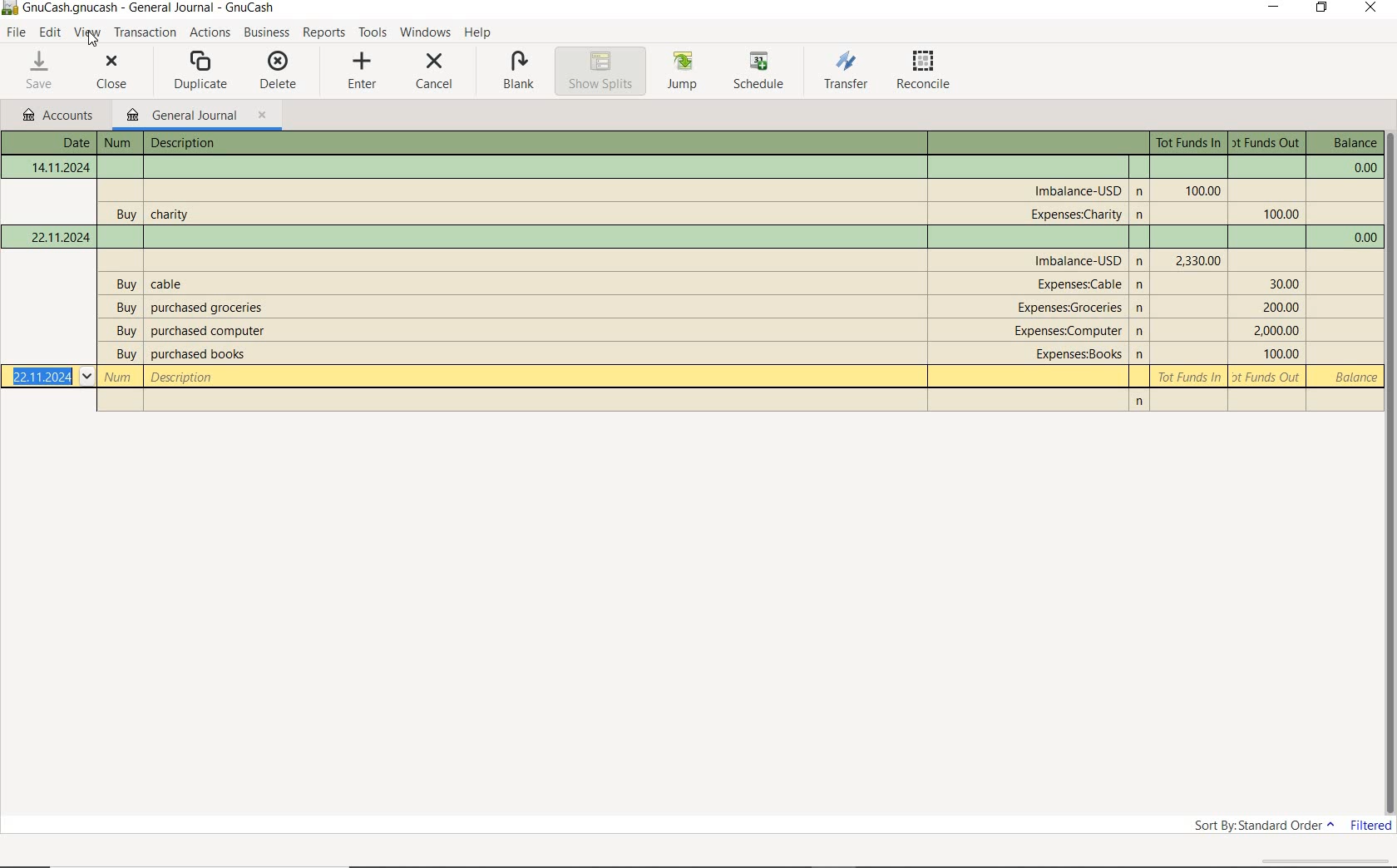  What do you see at coordinates (19, 33) in the screenshot?
I see `FILE` at bounding box center [19, 33].